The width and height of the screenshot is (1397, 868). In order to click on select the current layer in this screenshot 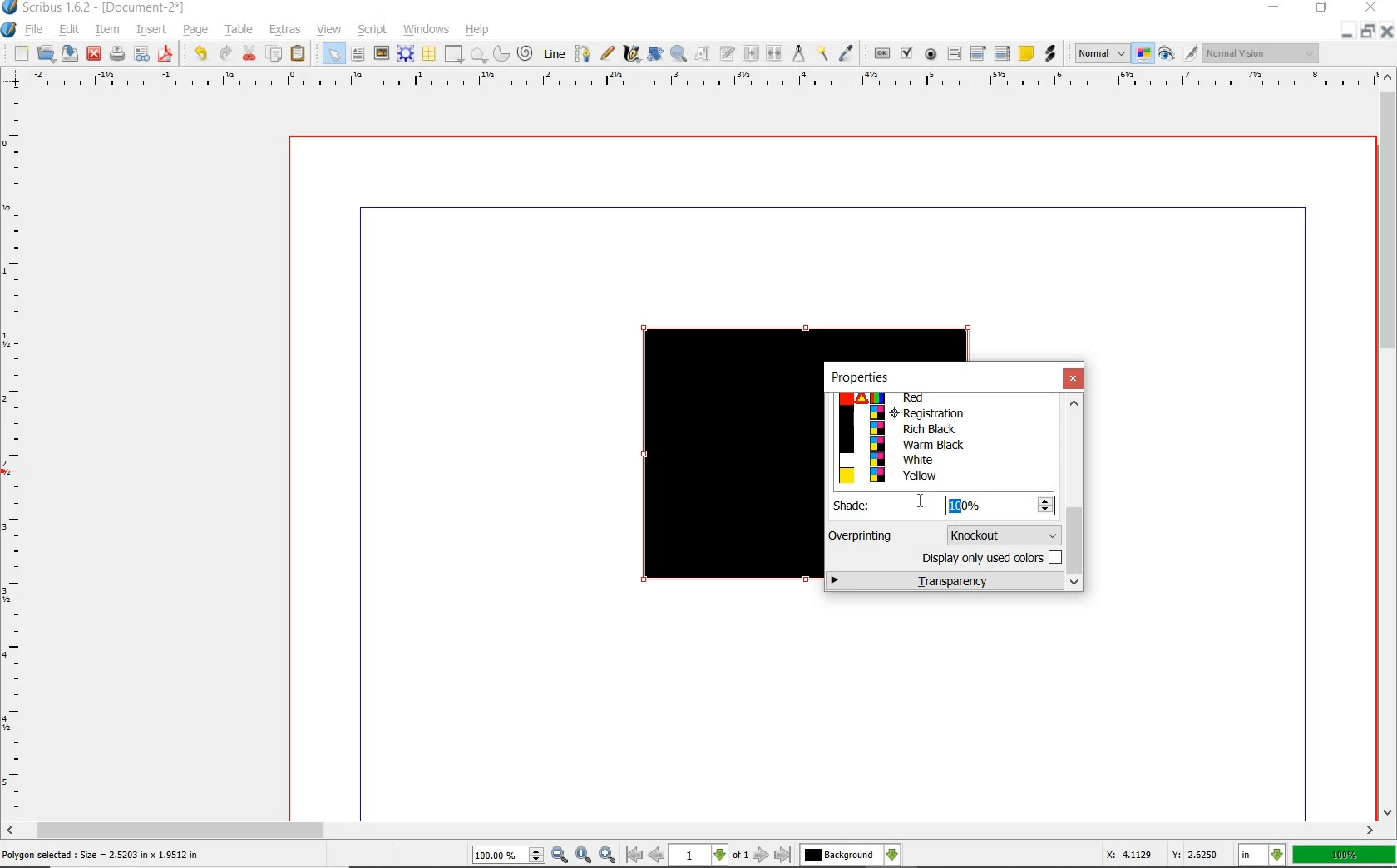, I will do `click(851, 855)`.